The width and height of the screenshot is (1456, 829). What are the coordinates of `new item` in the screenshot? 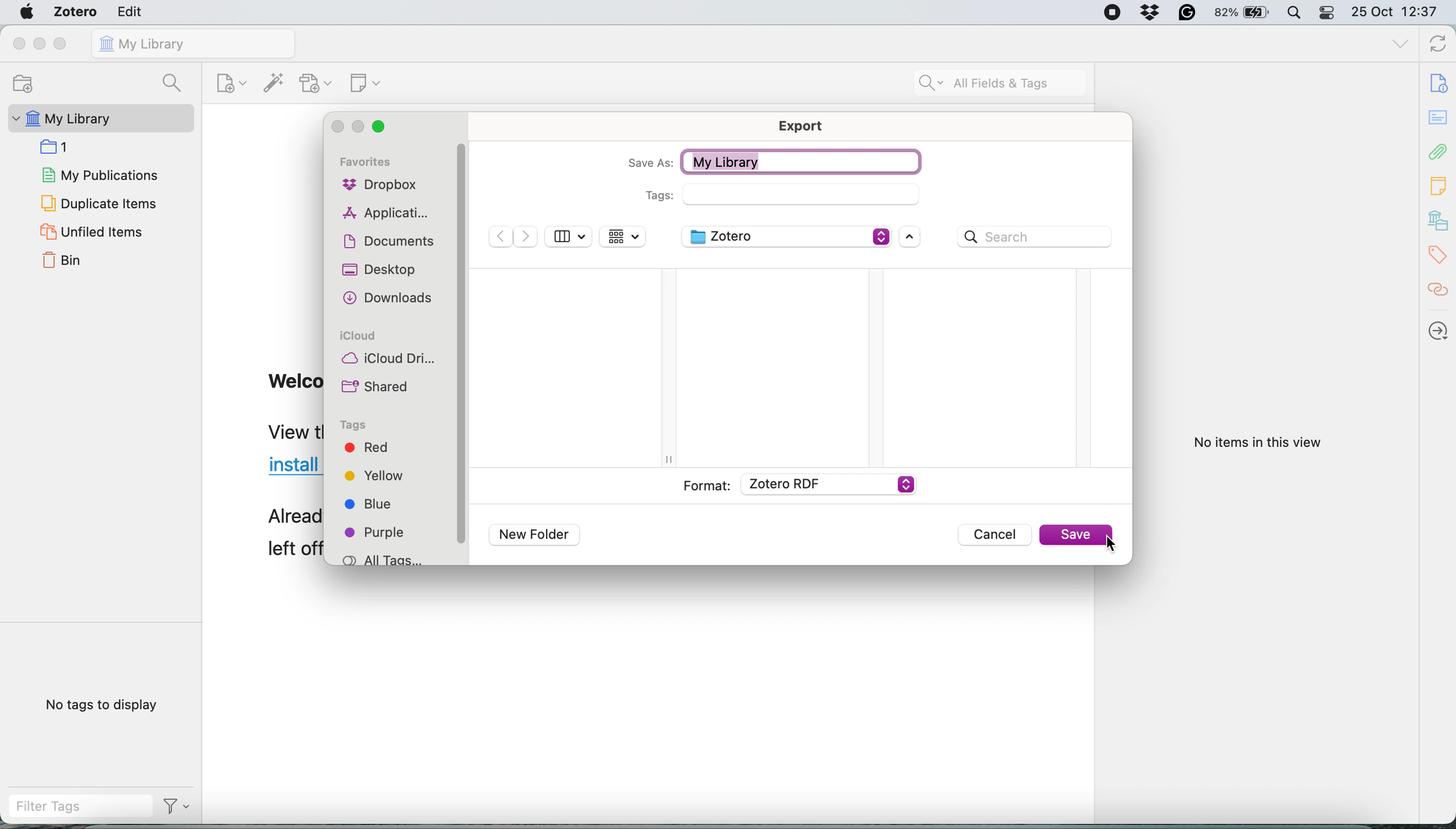 It's located at (231, 84).